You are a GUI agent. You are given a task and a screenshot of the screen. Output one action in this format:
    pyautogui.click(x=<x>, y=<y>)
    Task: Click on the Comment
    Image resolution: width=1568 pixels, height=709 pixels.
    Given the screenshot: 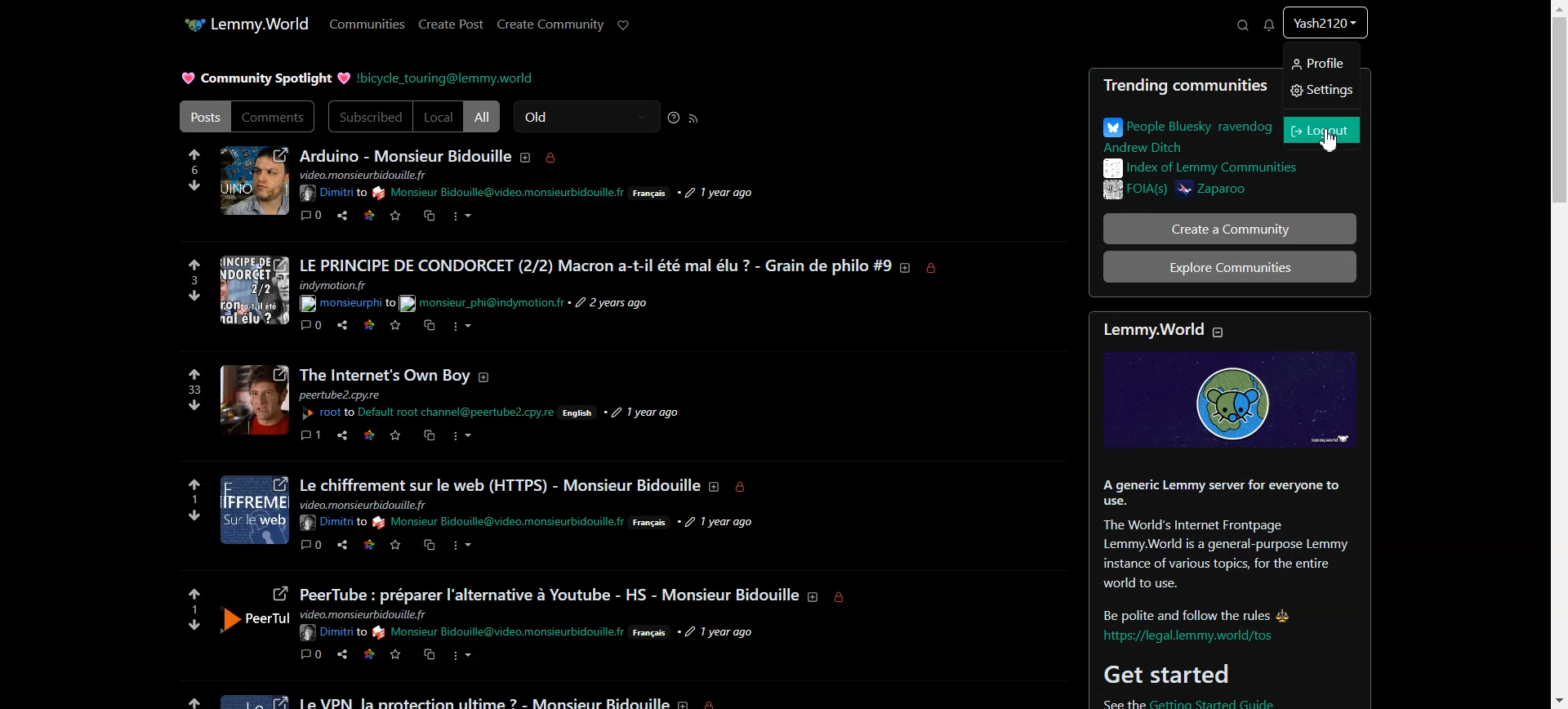 What is the action you would take?
    pyautogui.click(x=312, y=215)
    